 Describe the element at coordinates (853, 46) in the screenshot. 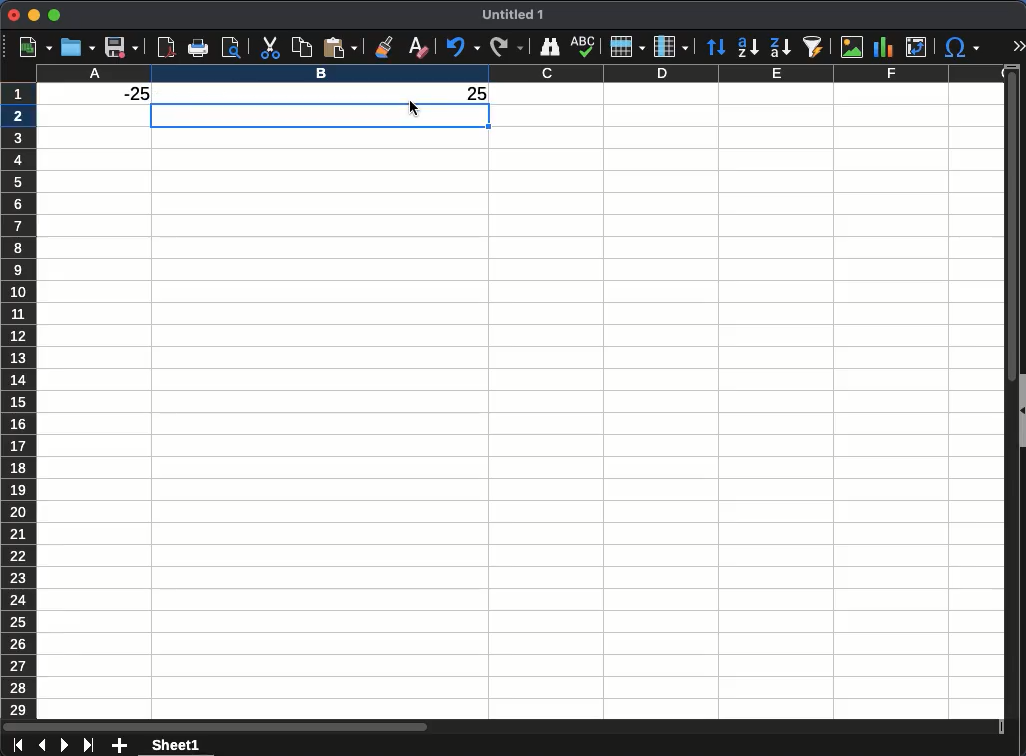

I see `image` at that location.